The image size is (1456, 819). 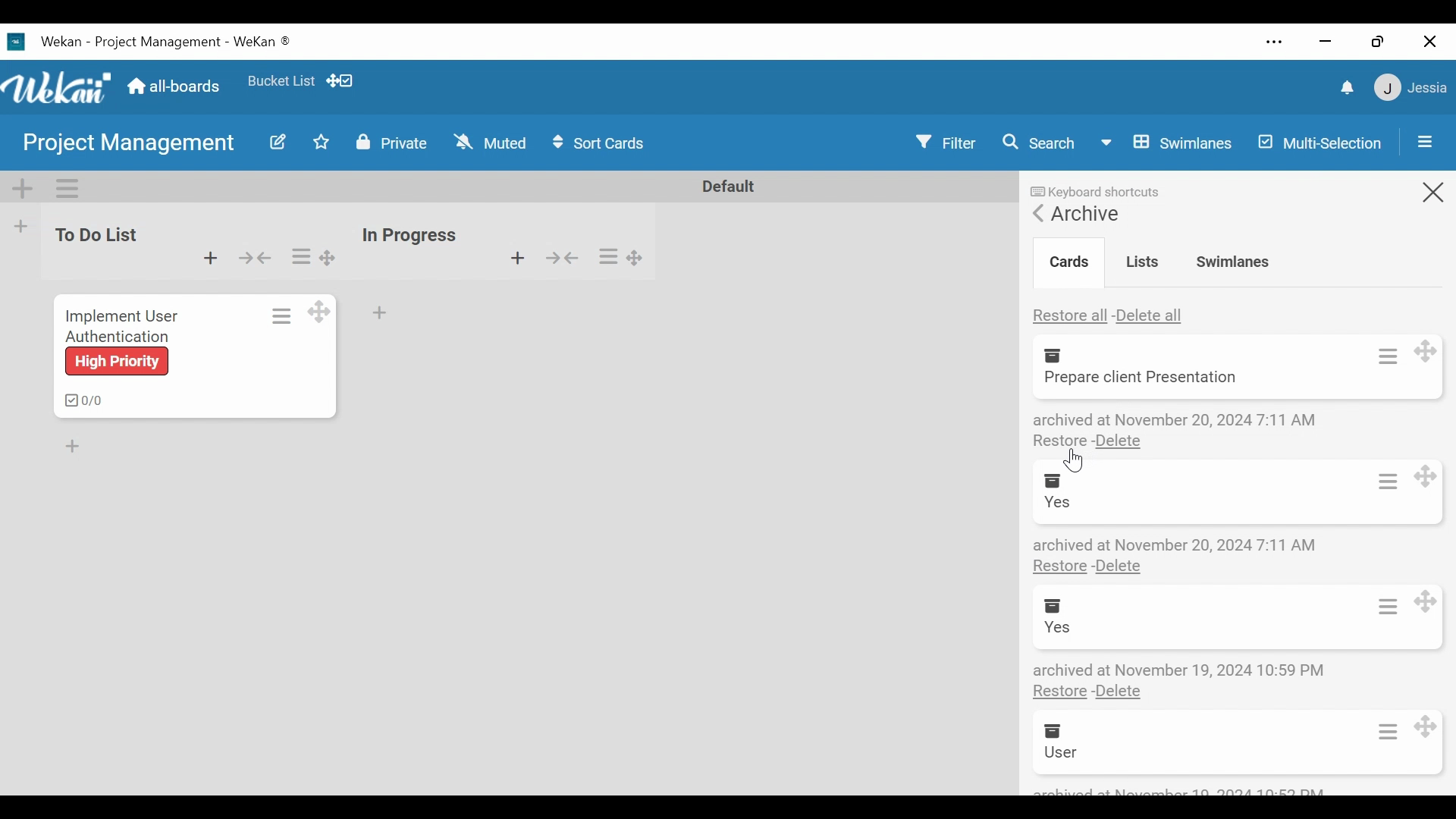 What do you see at coordinates (1085, 214) in the screenshot?
I see `Archive` at bounding box center [1085, 214].